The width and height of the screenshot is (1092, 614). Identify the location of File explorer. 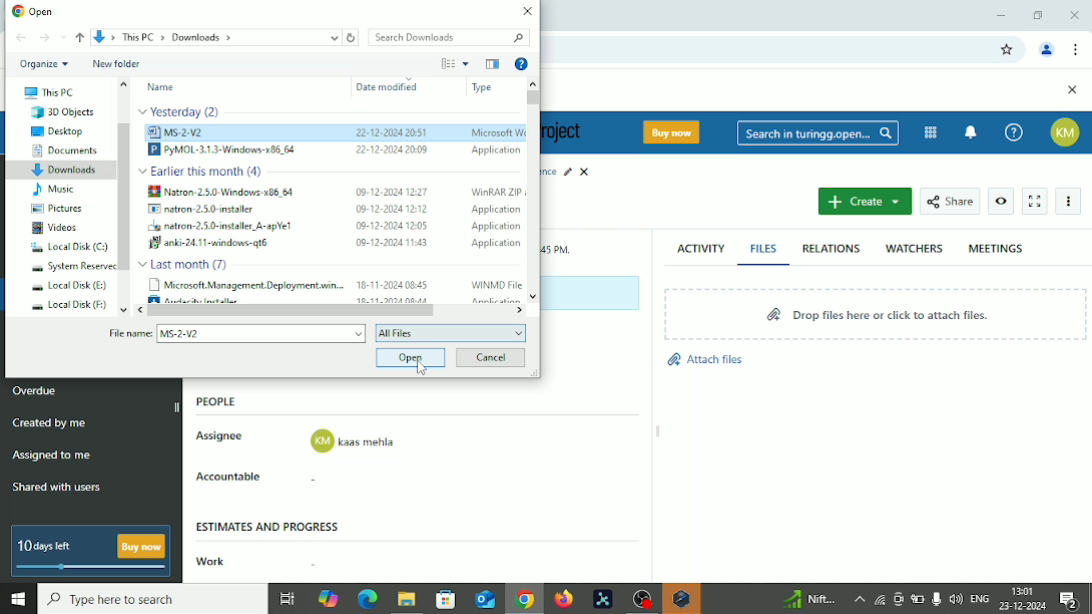
(405, 601).